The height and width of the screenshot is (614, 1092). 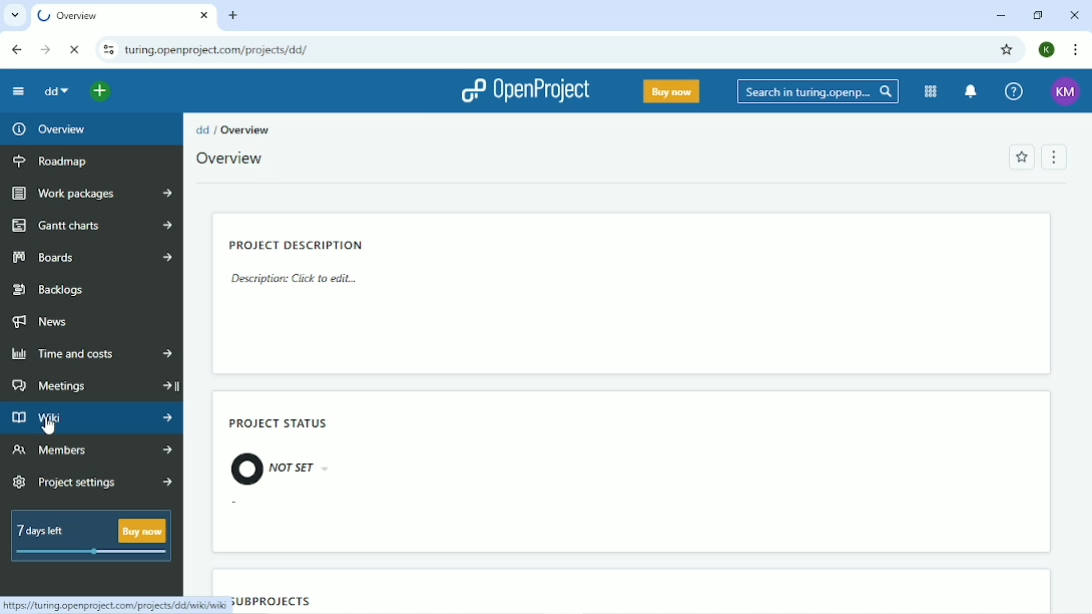 I want to click on Search, so click(x=817, y=91).